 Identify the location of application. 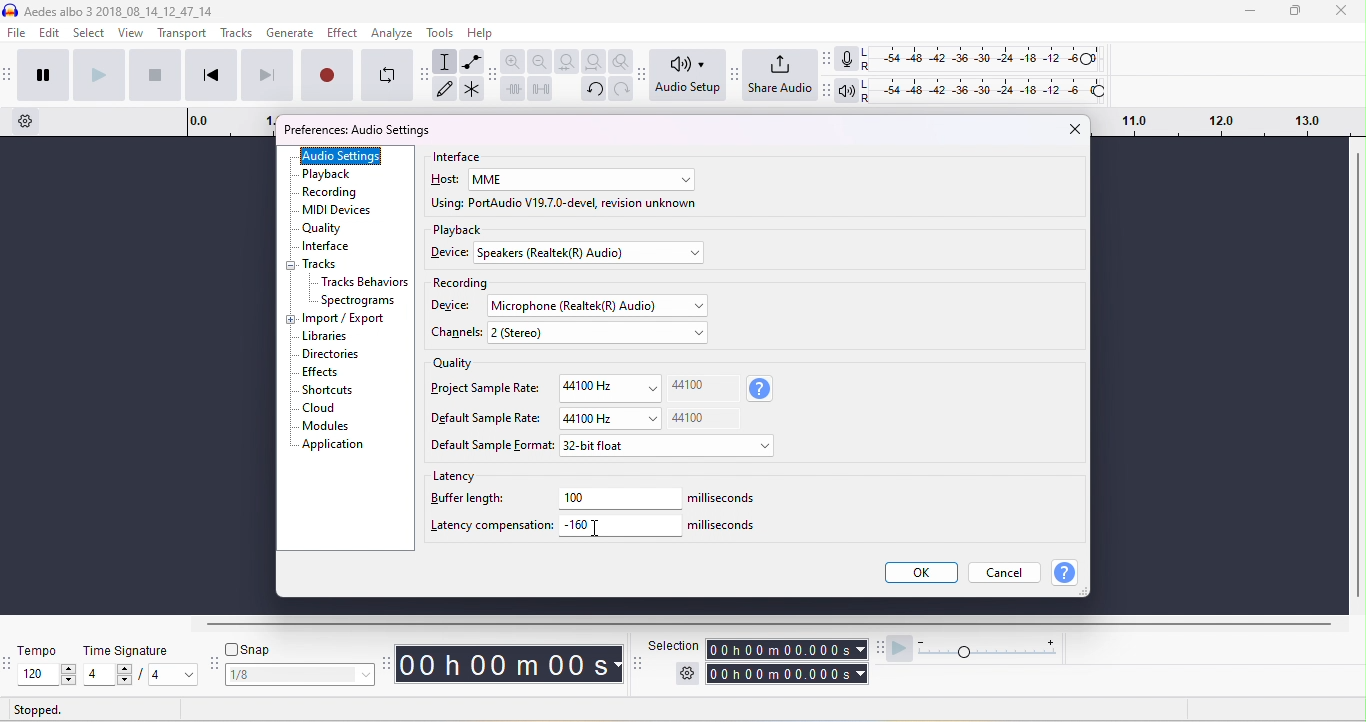
(333, 444).